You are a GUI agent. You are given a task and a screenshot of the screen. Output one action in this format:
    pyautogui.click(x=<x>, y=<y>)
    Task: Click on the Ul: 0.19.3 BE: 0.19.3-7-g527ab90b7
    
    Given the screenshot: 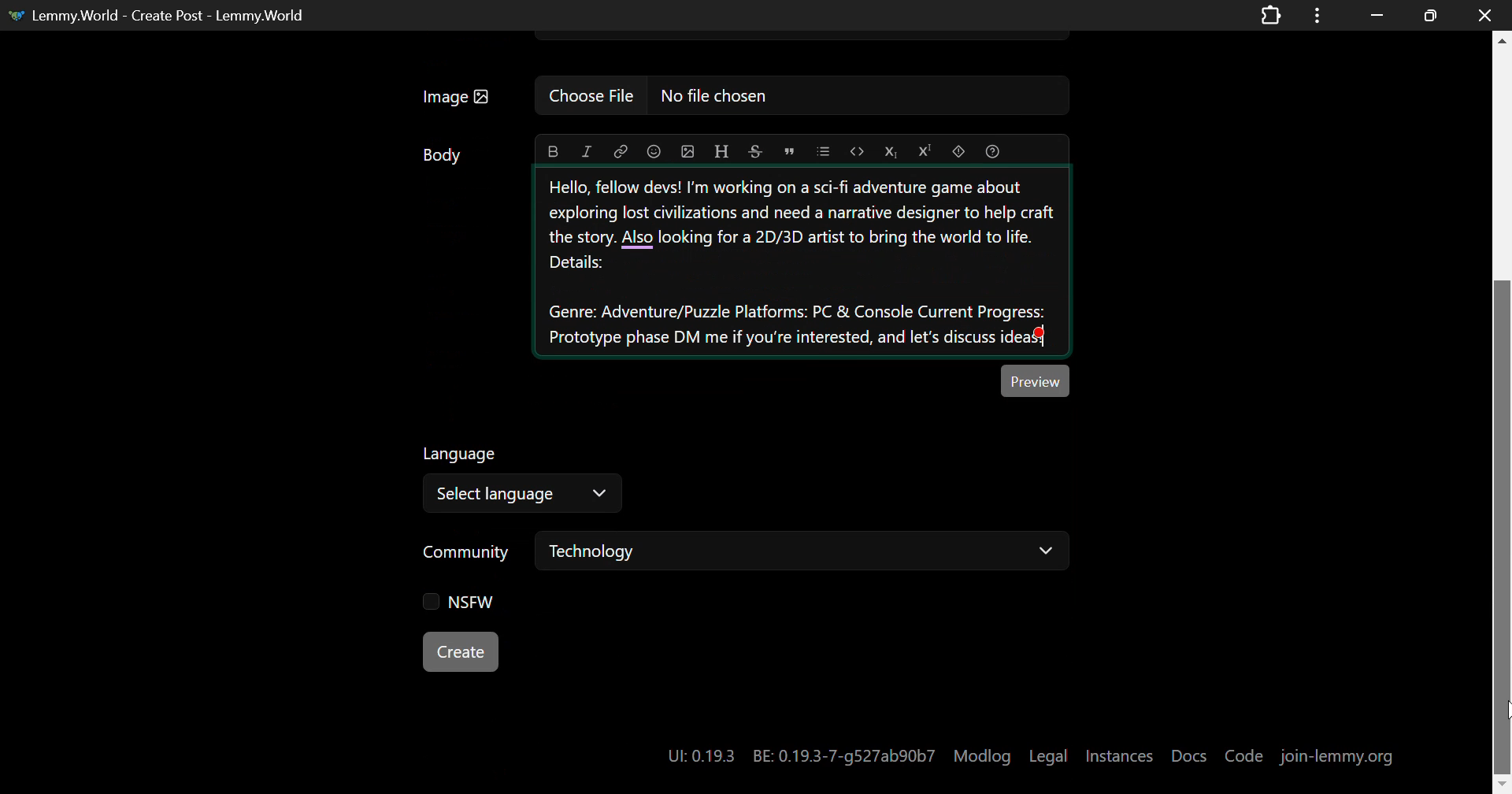 What is the action you would take?
    pyautogui.click(x=795, y=751)
    